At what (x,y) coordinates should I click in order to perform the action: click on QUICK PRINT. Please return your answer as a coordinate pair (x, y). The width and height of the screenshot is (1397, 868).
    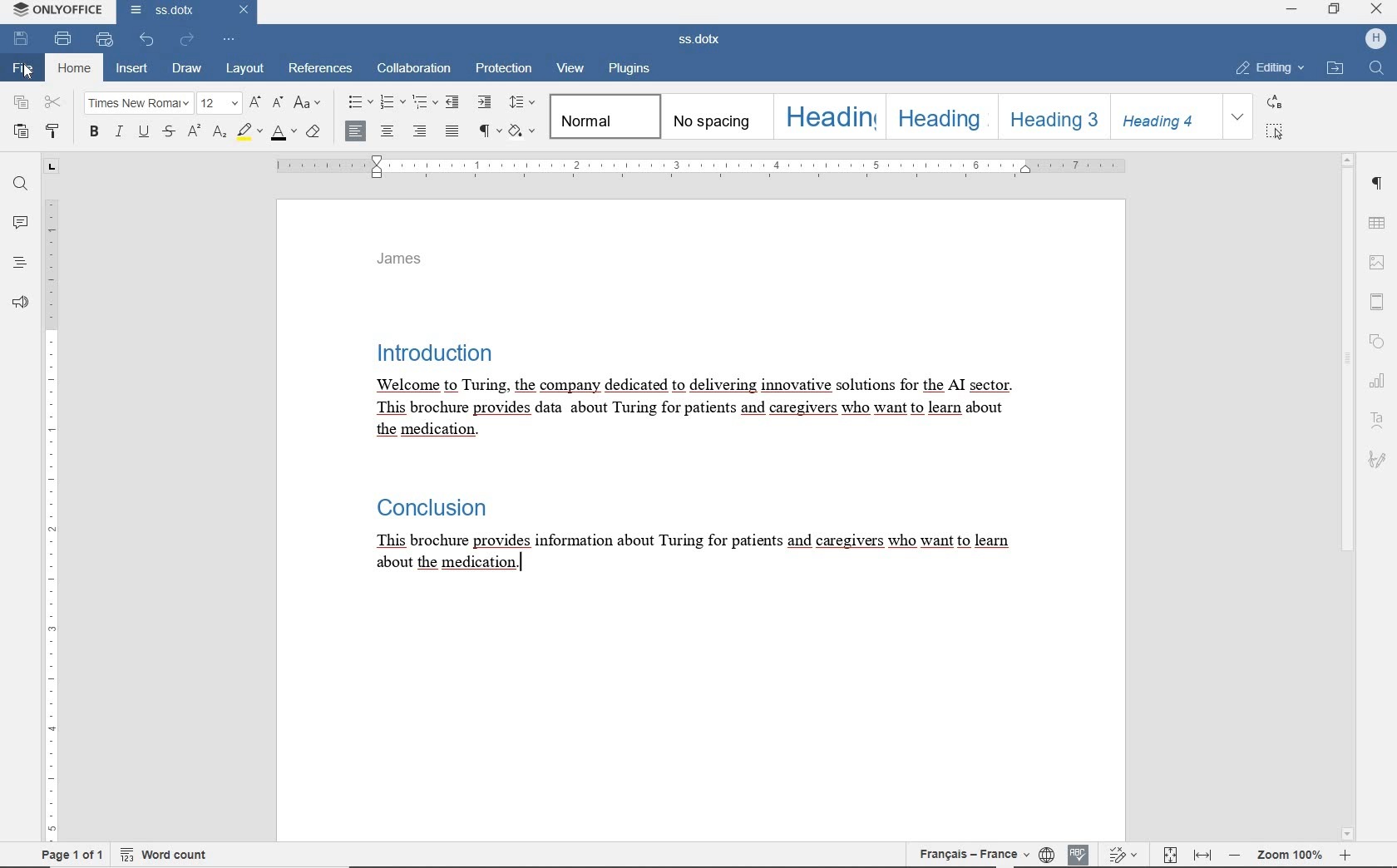
    Looking at the image, I should click on (104, 40).